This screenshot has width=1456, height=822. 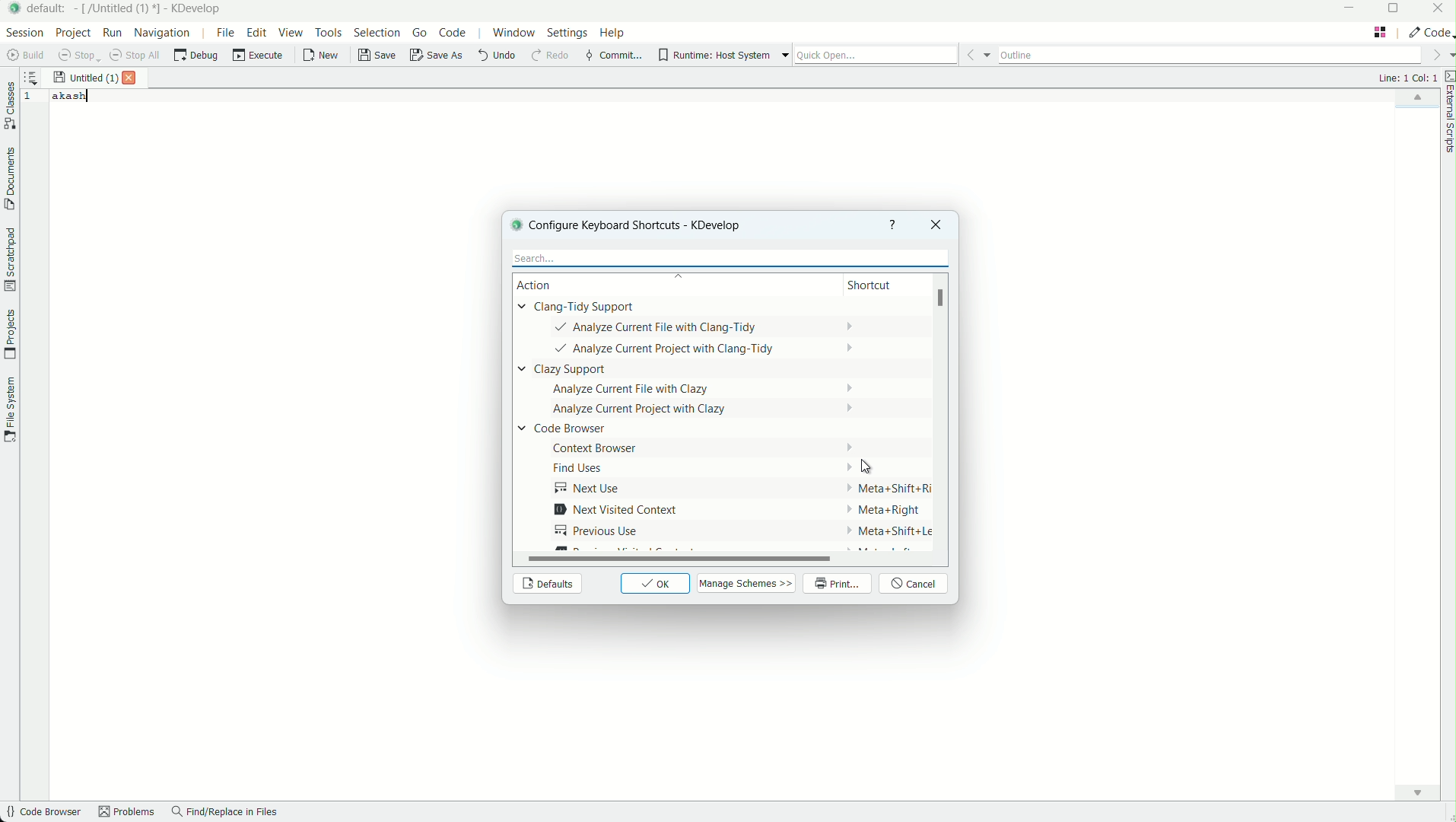 I want to click on actions, so click(x=669, y=427).